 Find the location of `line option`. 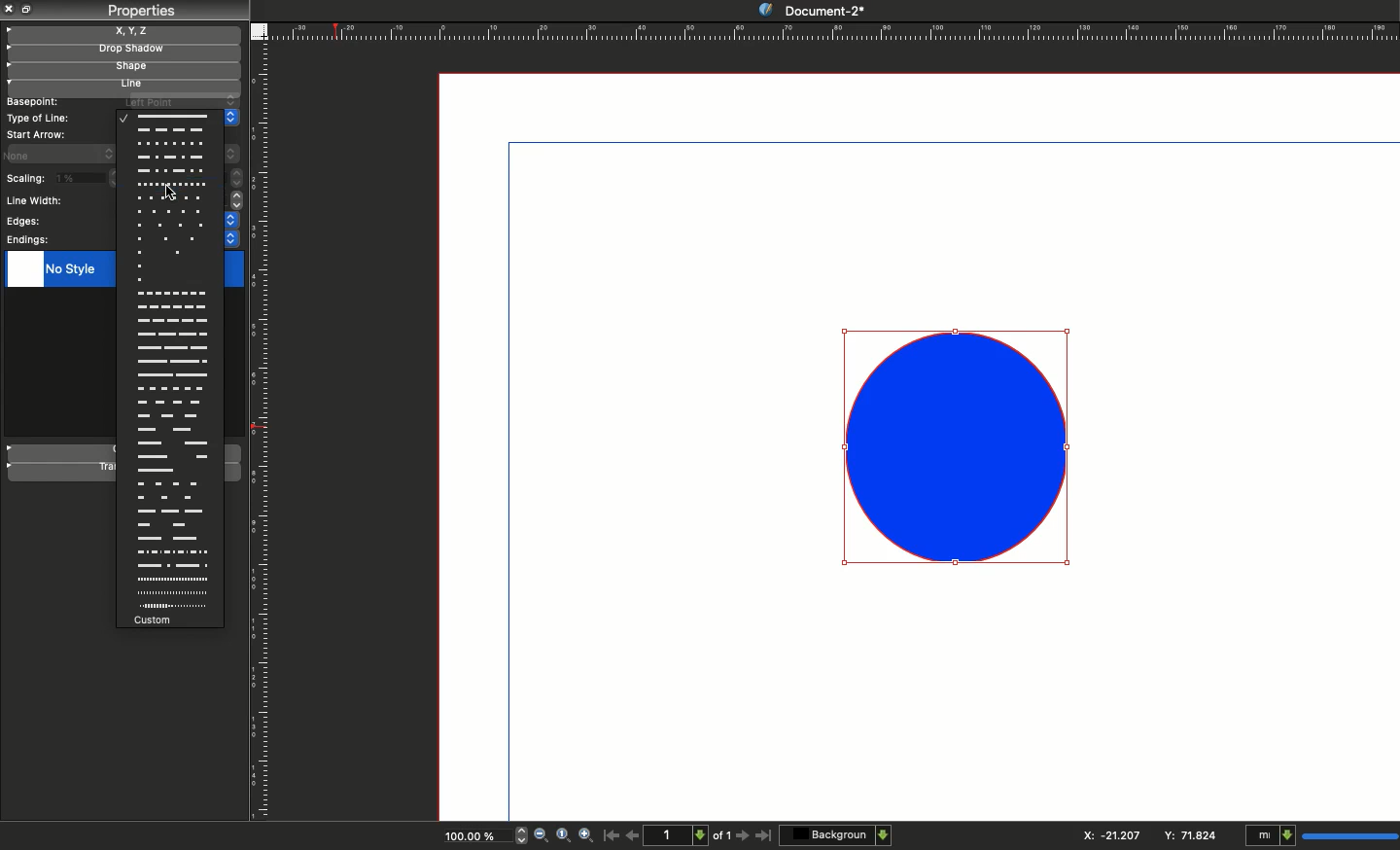

line option is located at coordinates (172, 238).